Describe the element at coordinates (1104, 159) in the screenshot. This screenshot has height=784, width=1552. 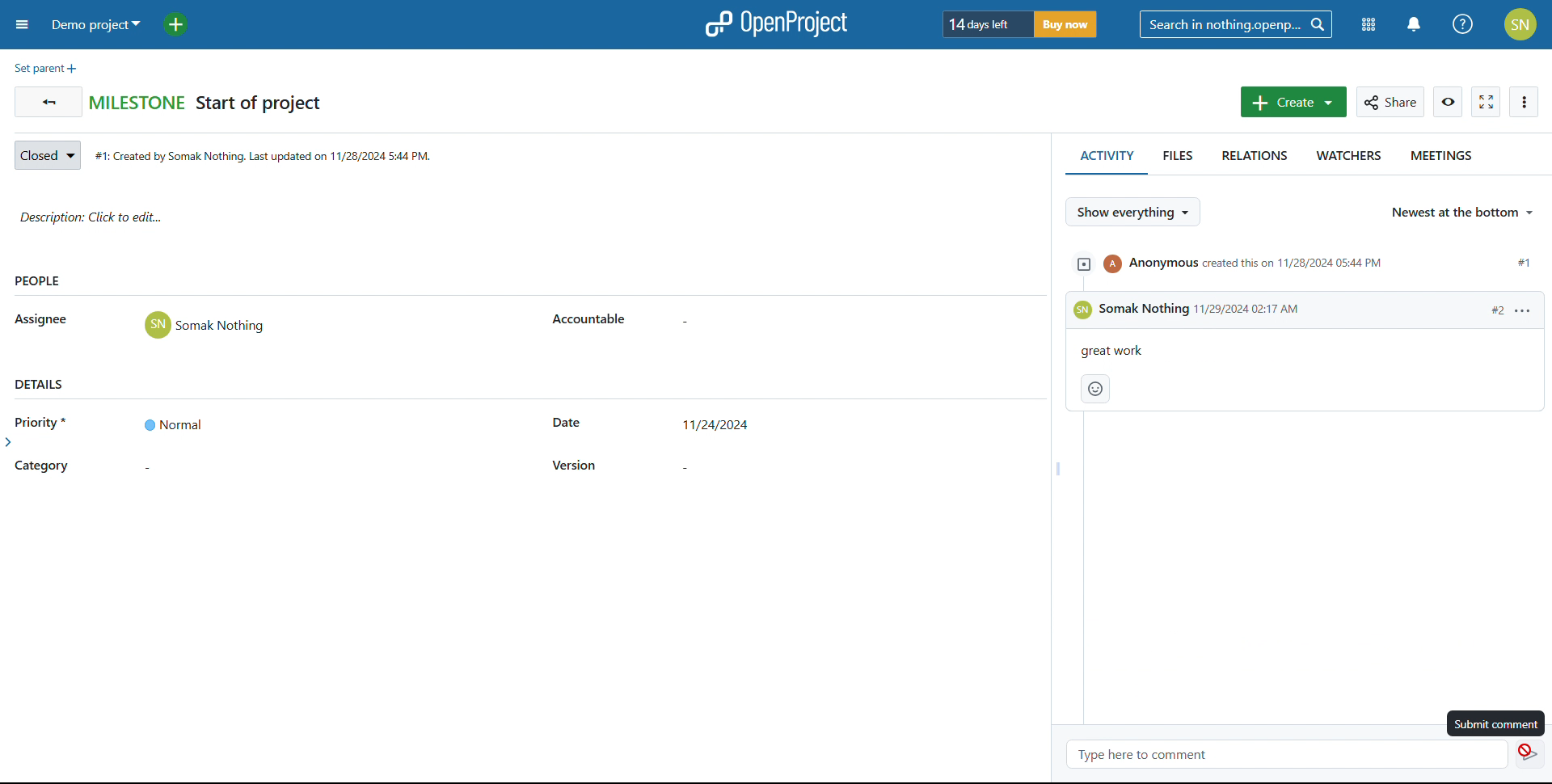
I see `activity` at that location.